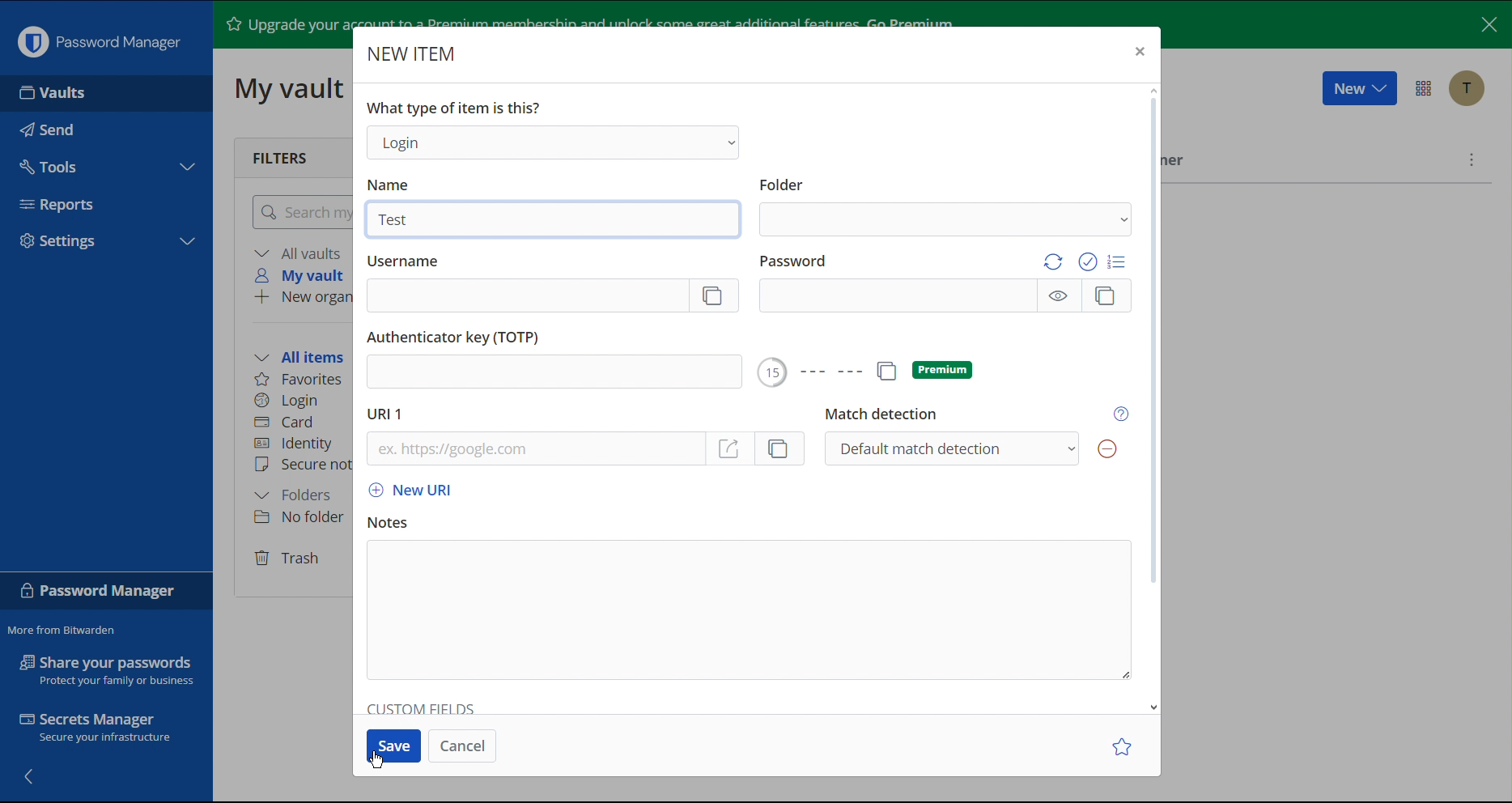 The height and width of the screenshot is (803, 1512). I want to click on Tools, so click(102, 164).